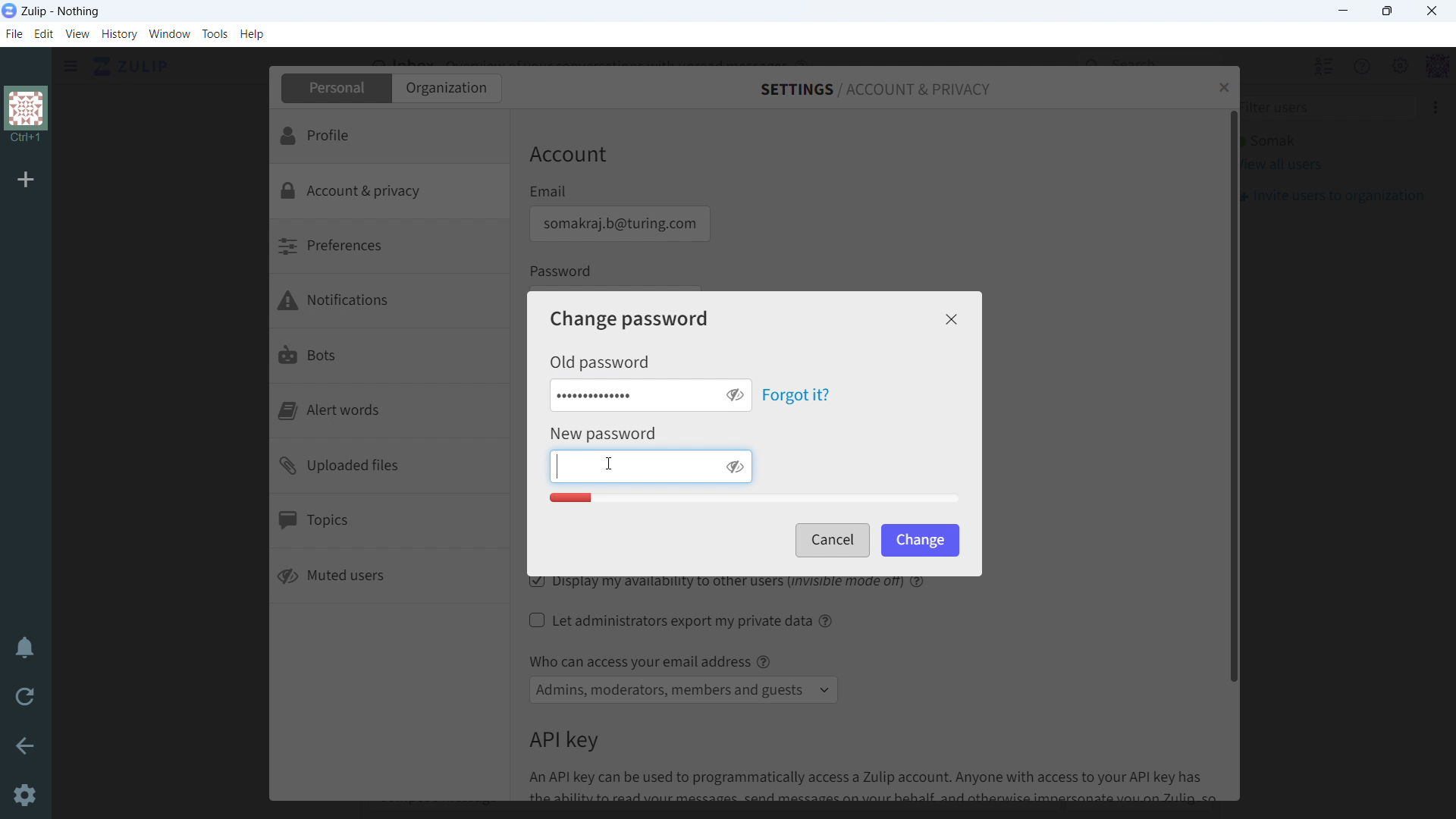  I want to click on New Password, so click(606, 435).